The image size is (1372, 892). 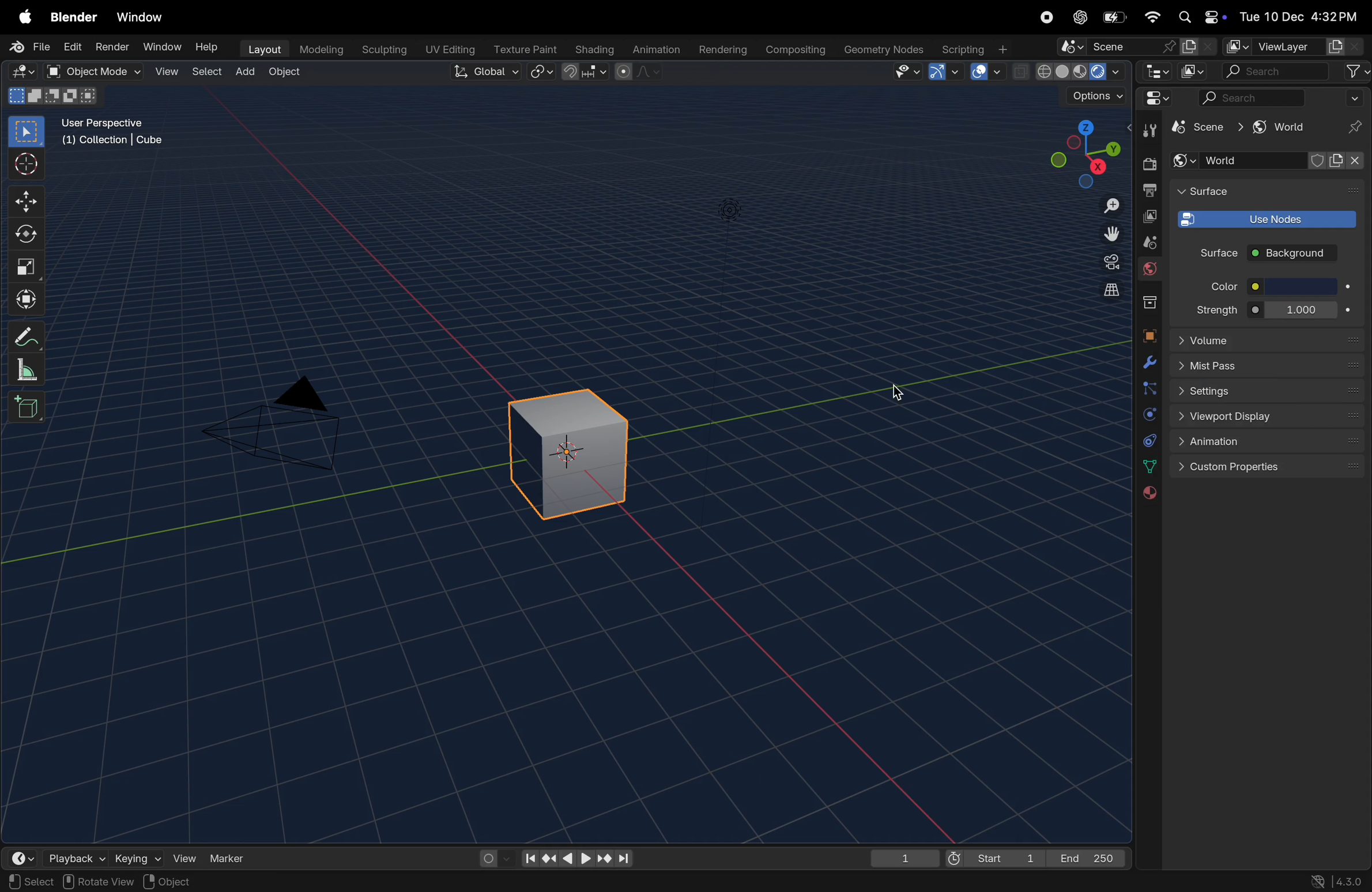 I want to click on annotate, so click(x=29, y=334).